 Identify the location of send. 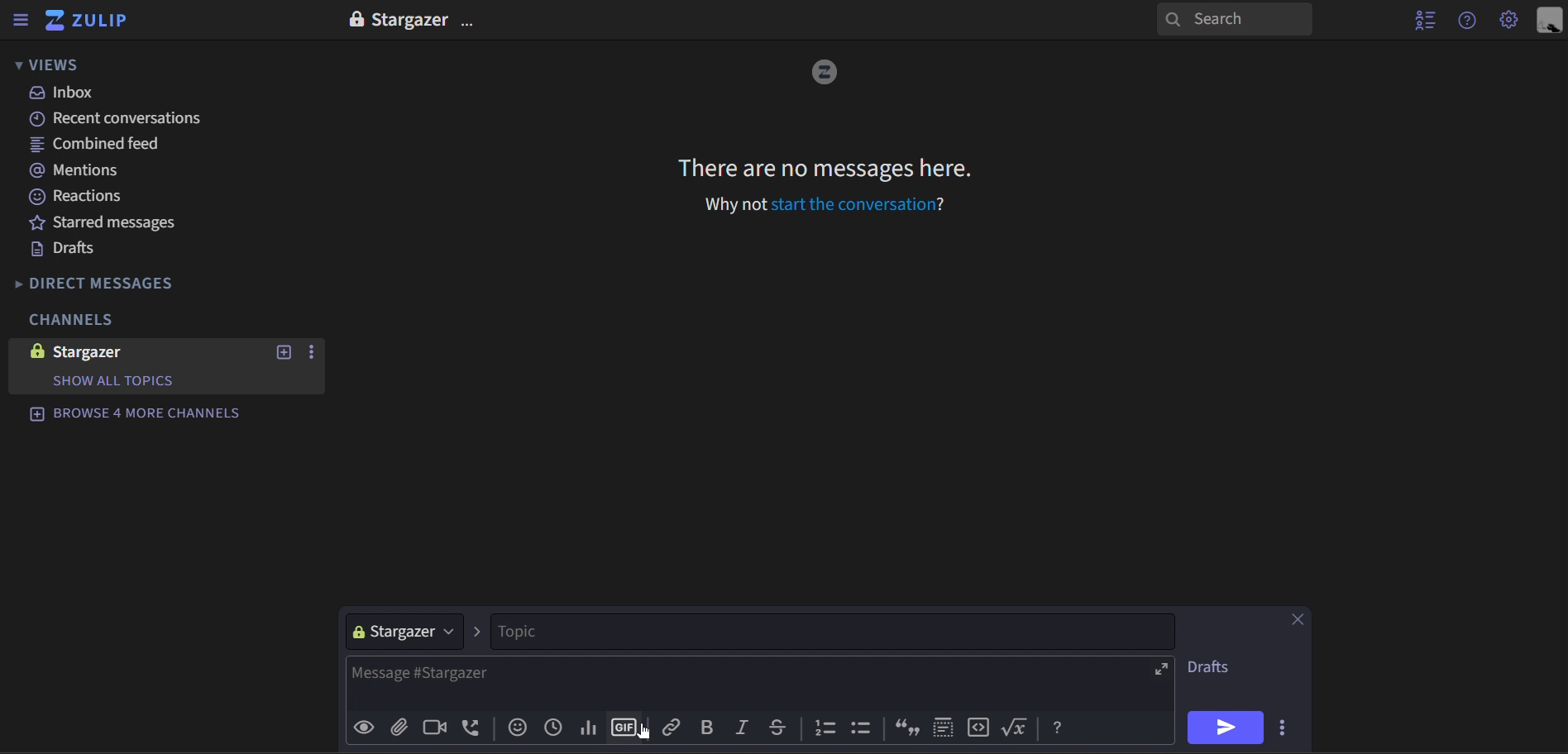
(1226, 728).